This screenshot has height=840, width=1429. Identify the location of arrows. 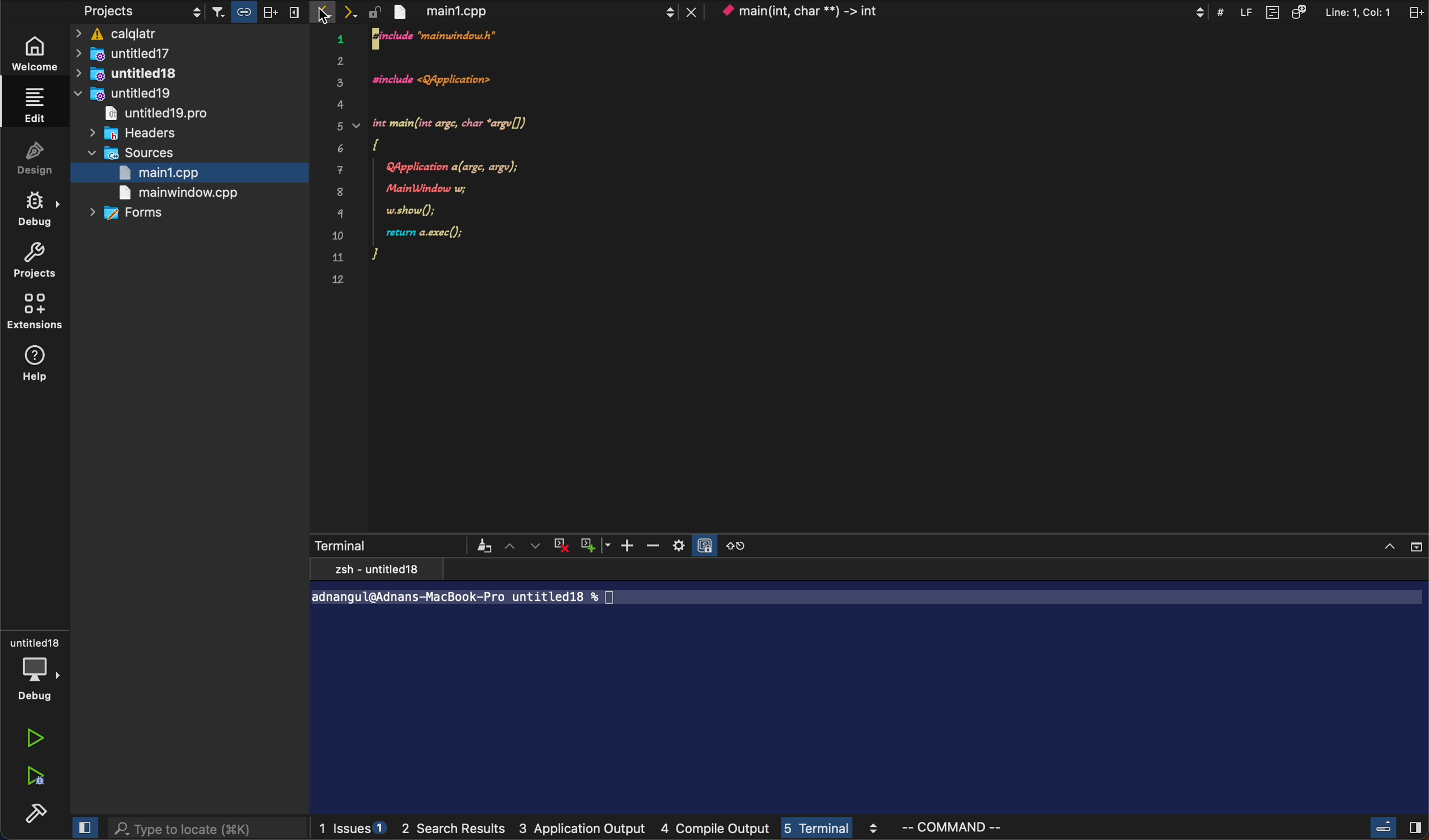
(523, 545).